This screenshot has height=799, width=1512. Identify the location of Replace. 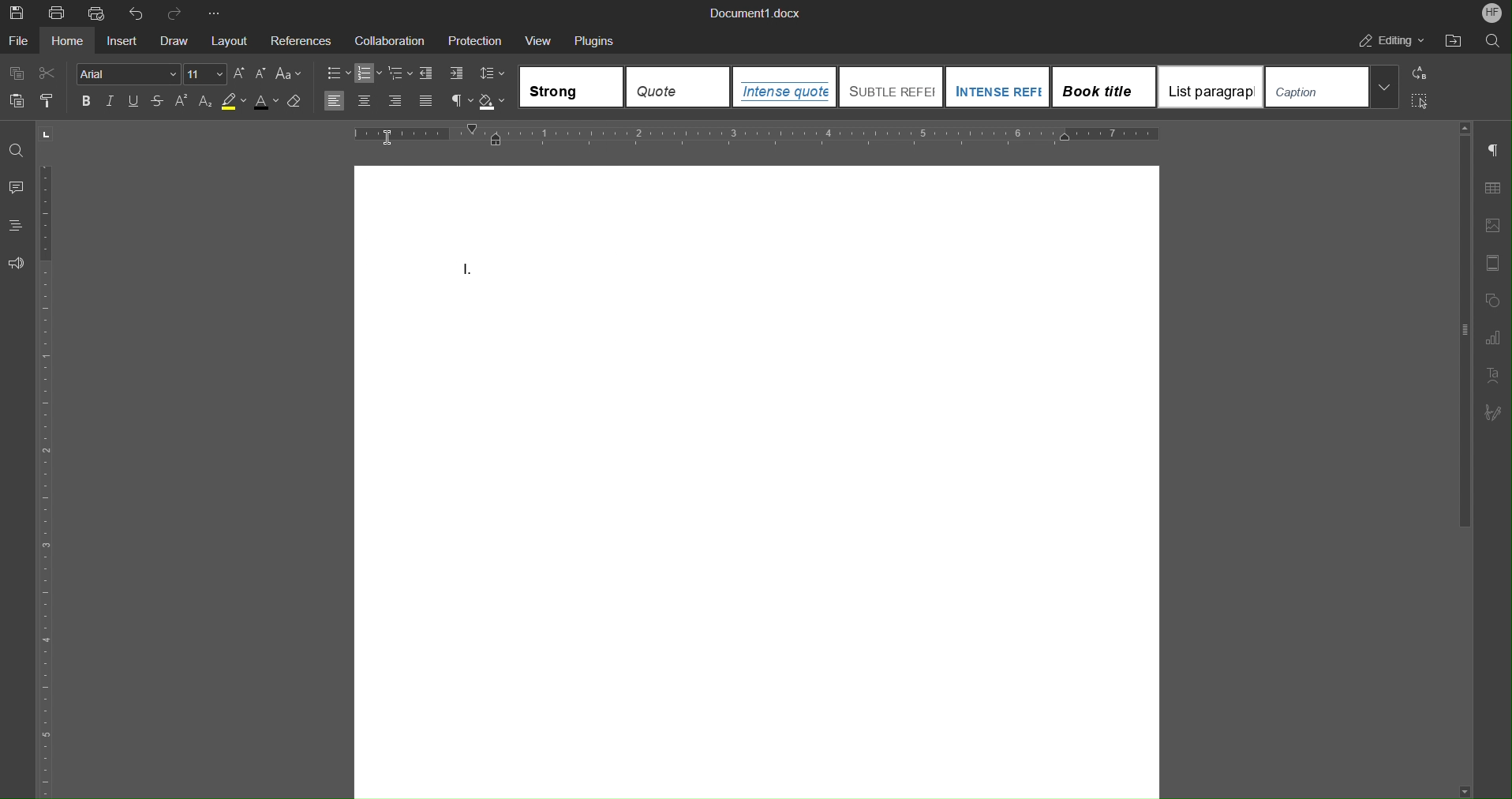
(1420, 73).